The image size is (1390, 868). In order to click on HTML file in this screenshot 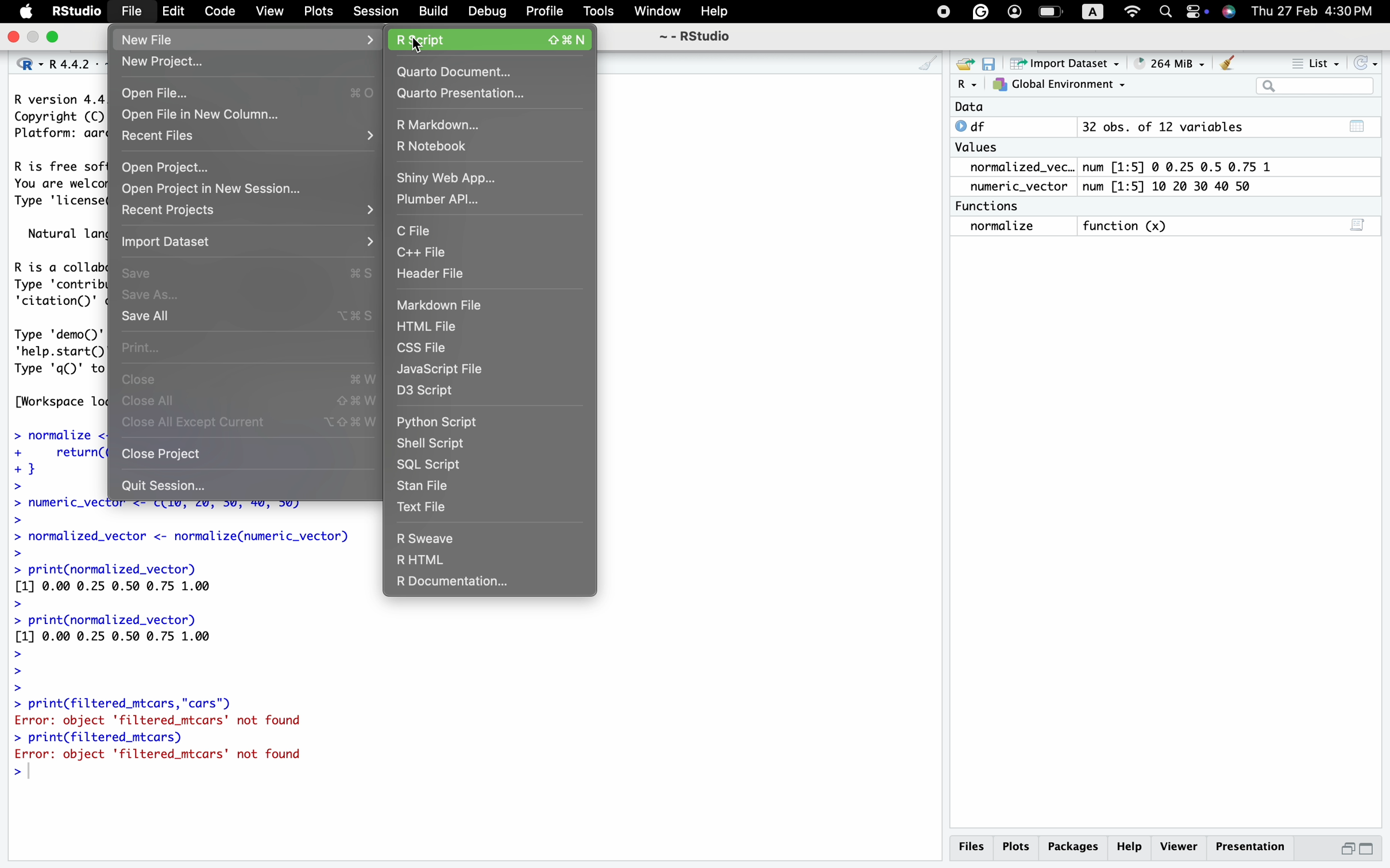, I will do `click(488, 326)`.